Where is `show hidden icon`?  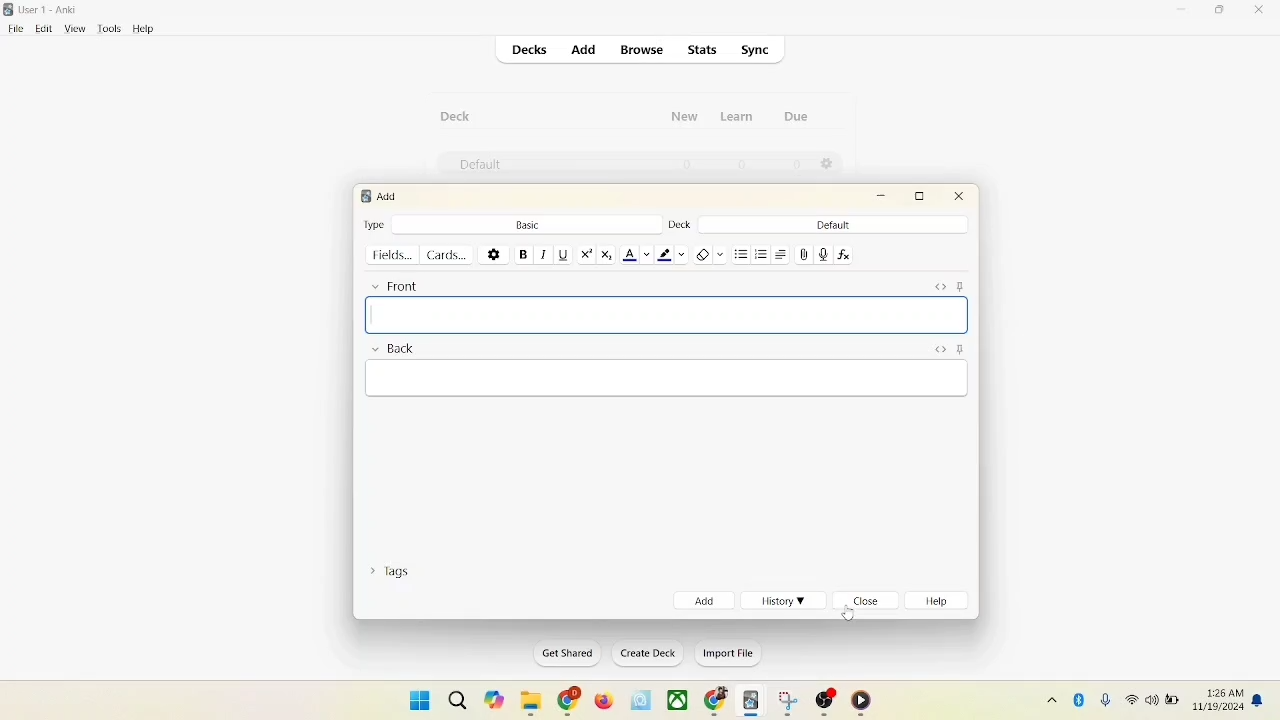 show hidden icon is located at coordinates (1048, 699).